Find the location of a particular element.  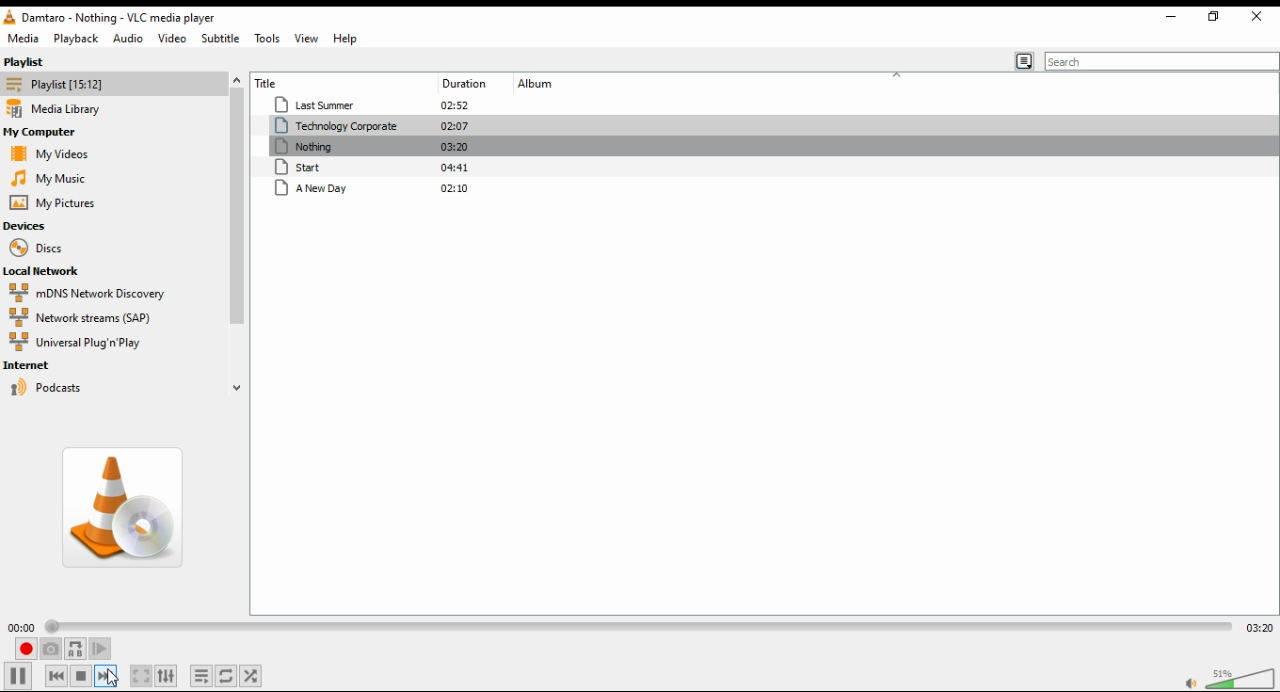

album is located at coordinates (591, 82).